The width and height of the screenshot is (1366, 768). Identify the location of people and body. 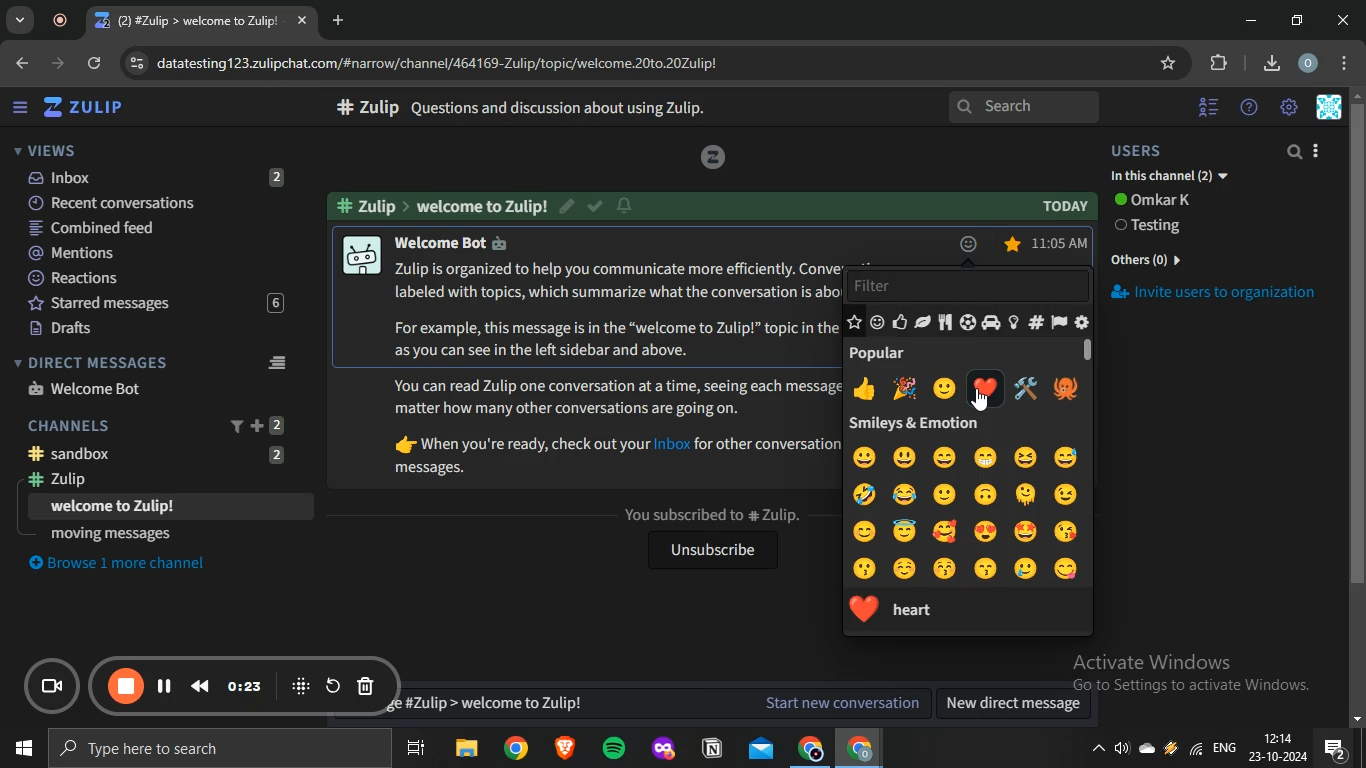
(899, 323).